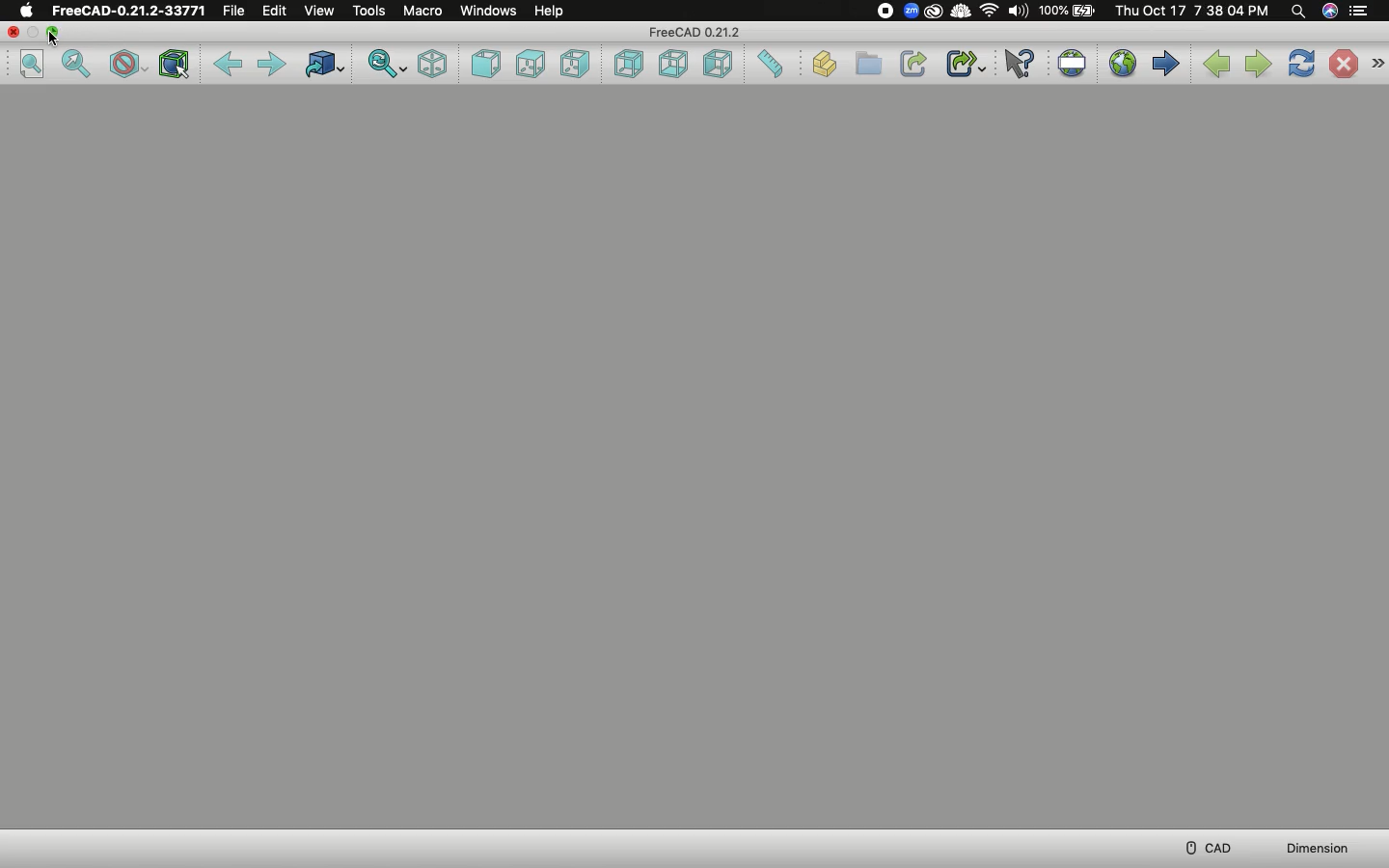 Image resolution: width=1389 pixels, height=868 pixels. I want to click on Dimension, so click(1315, 848).